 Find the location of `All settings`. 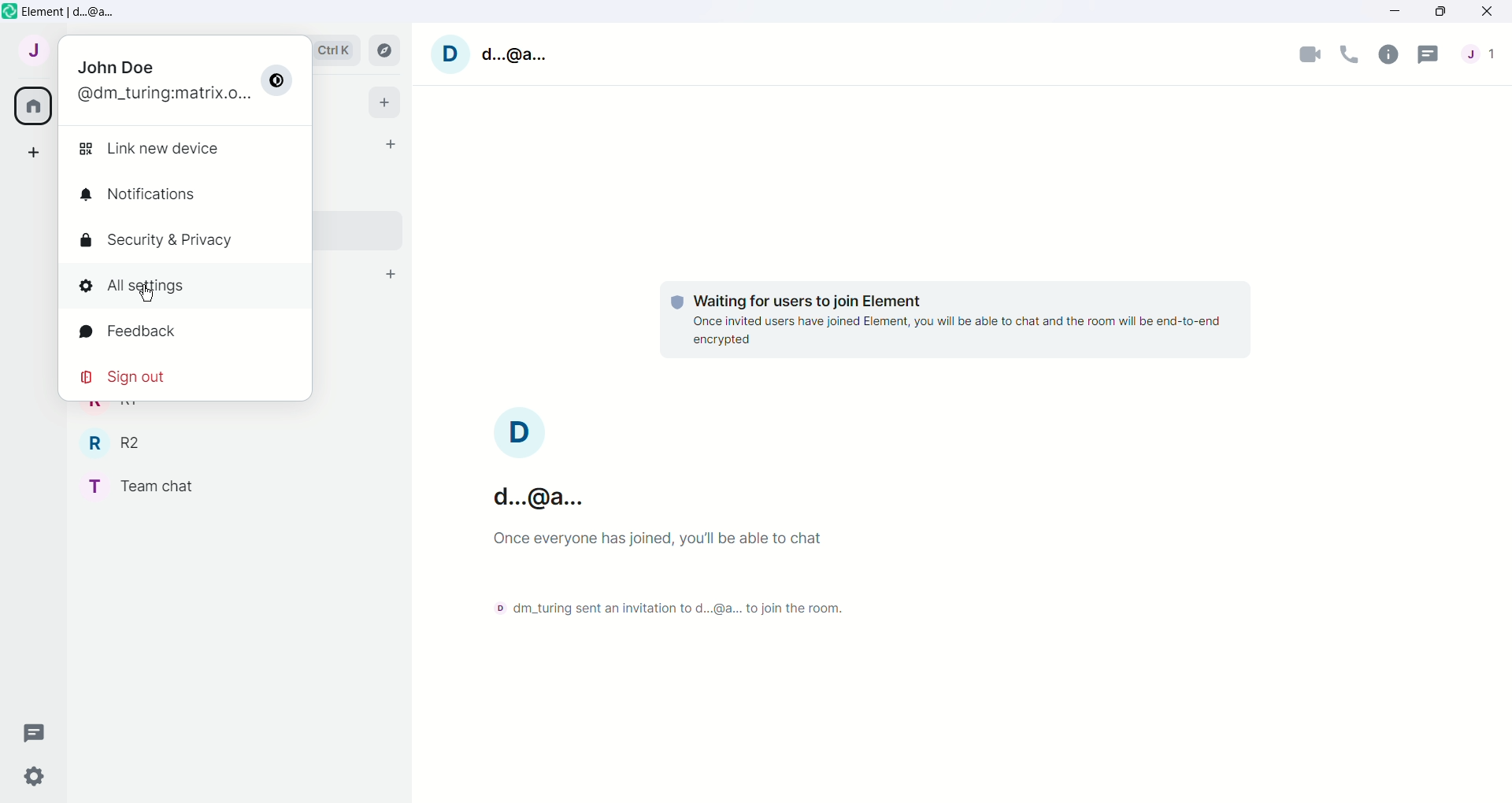

All settings is located at coordinates (185, 286).